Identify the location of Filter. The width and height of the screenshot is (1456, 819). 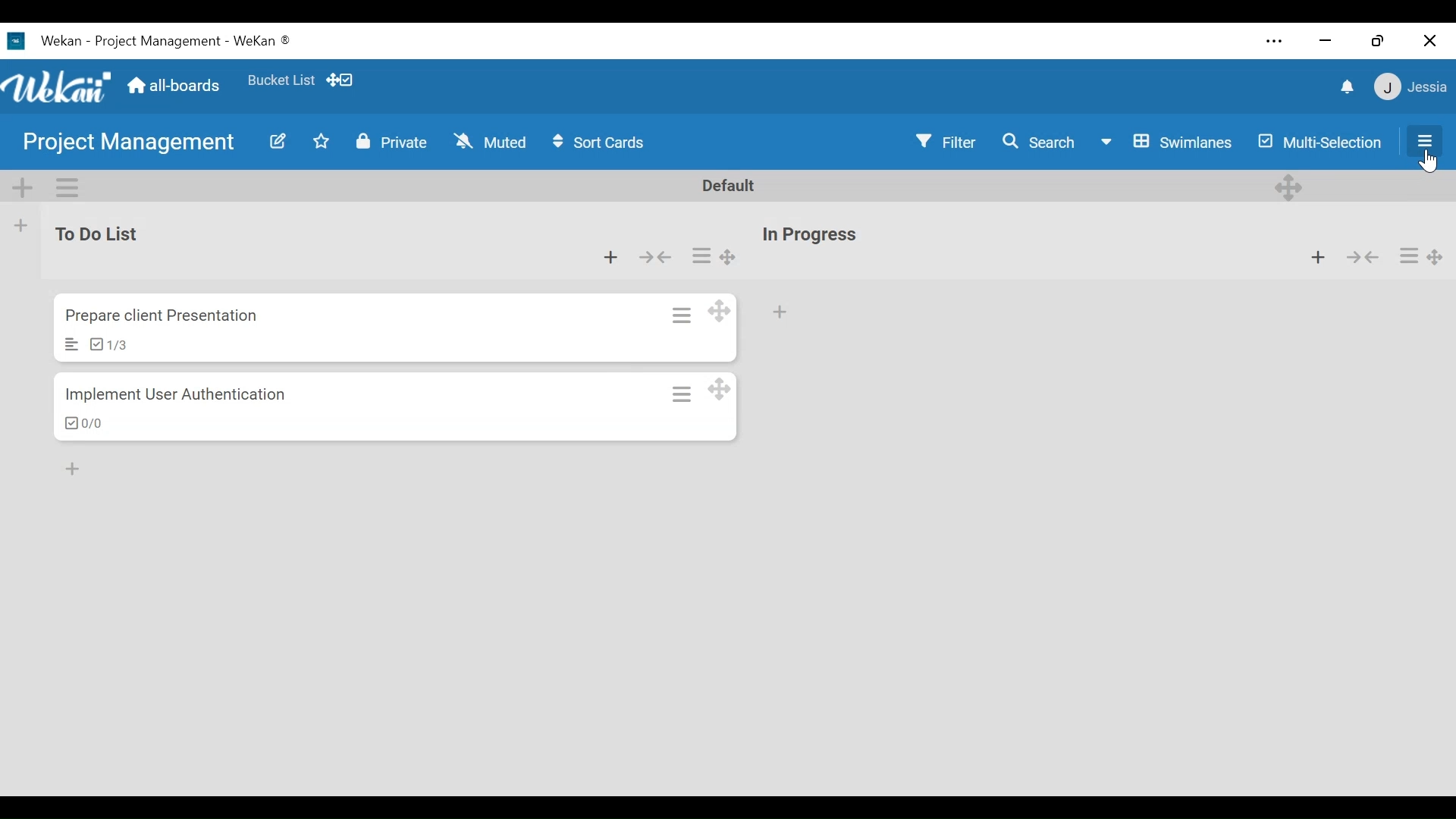
(946, 142).